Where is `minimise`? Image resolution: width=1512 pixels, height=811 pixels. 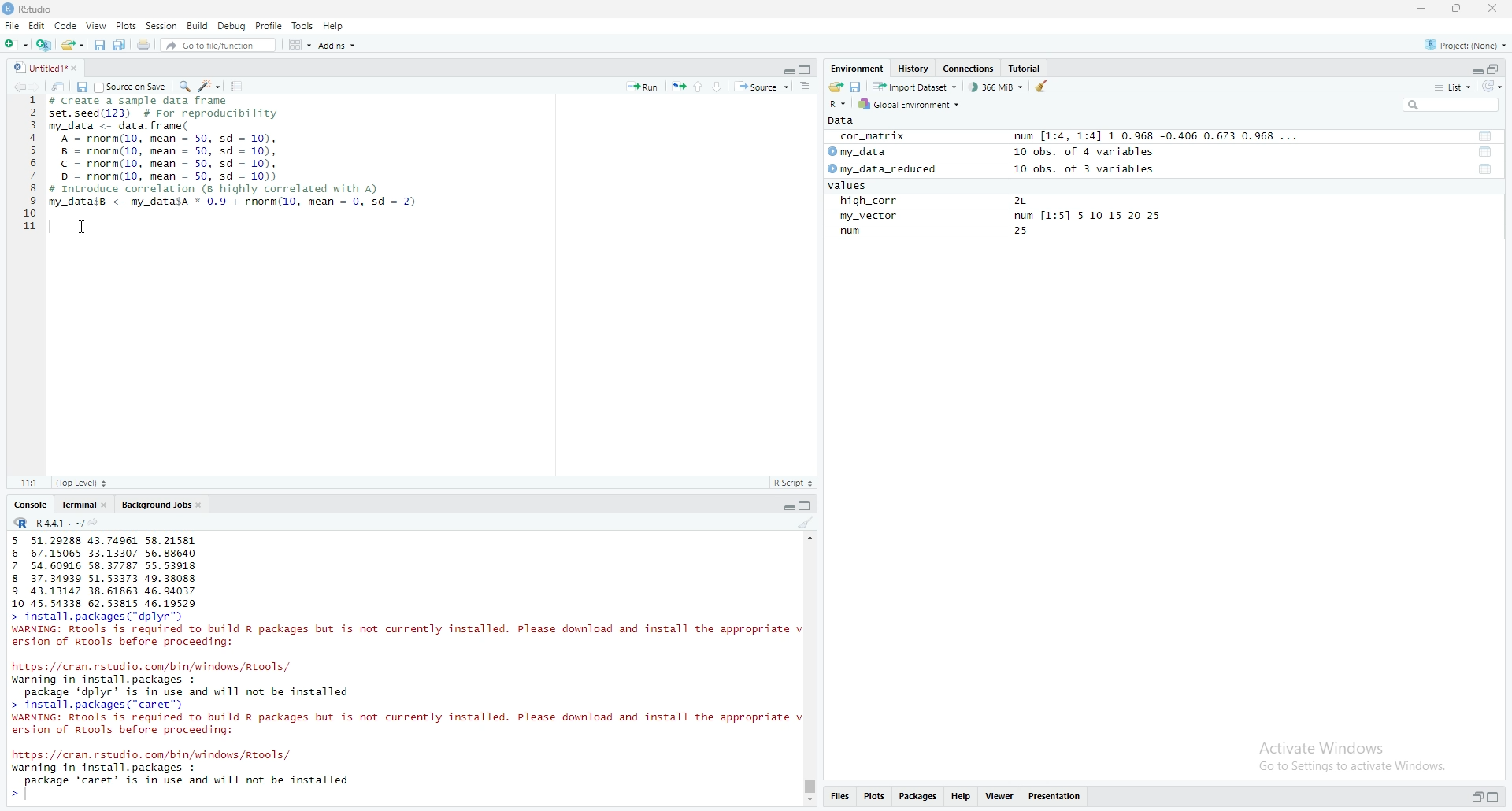 minimise is located at coordinates (1421, 8).